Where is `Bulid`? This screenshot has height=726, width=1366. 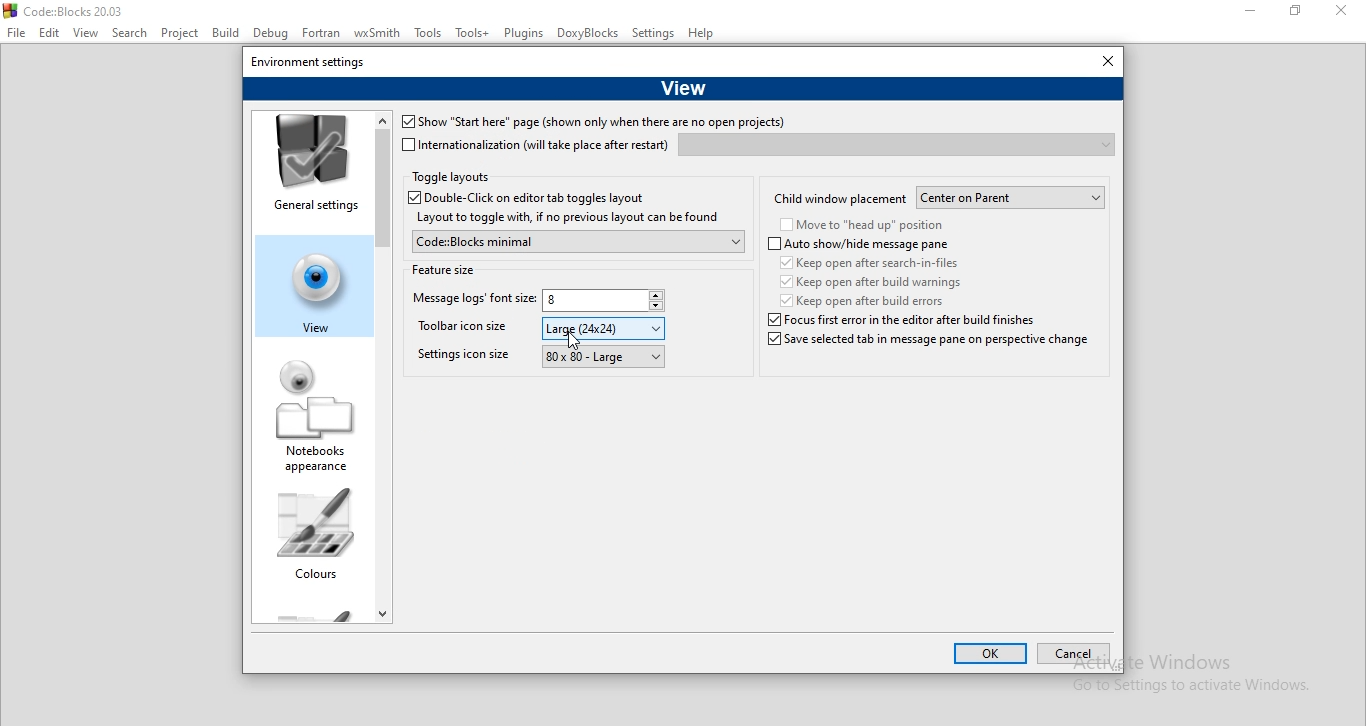 Bulid is located at coordinates (225, 32).